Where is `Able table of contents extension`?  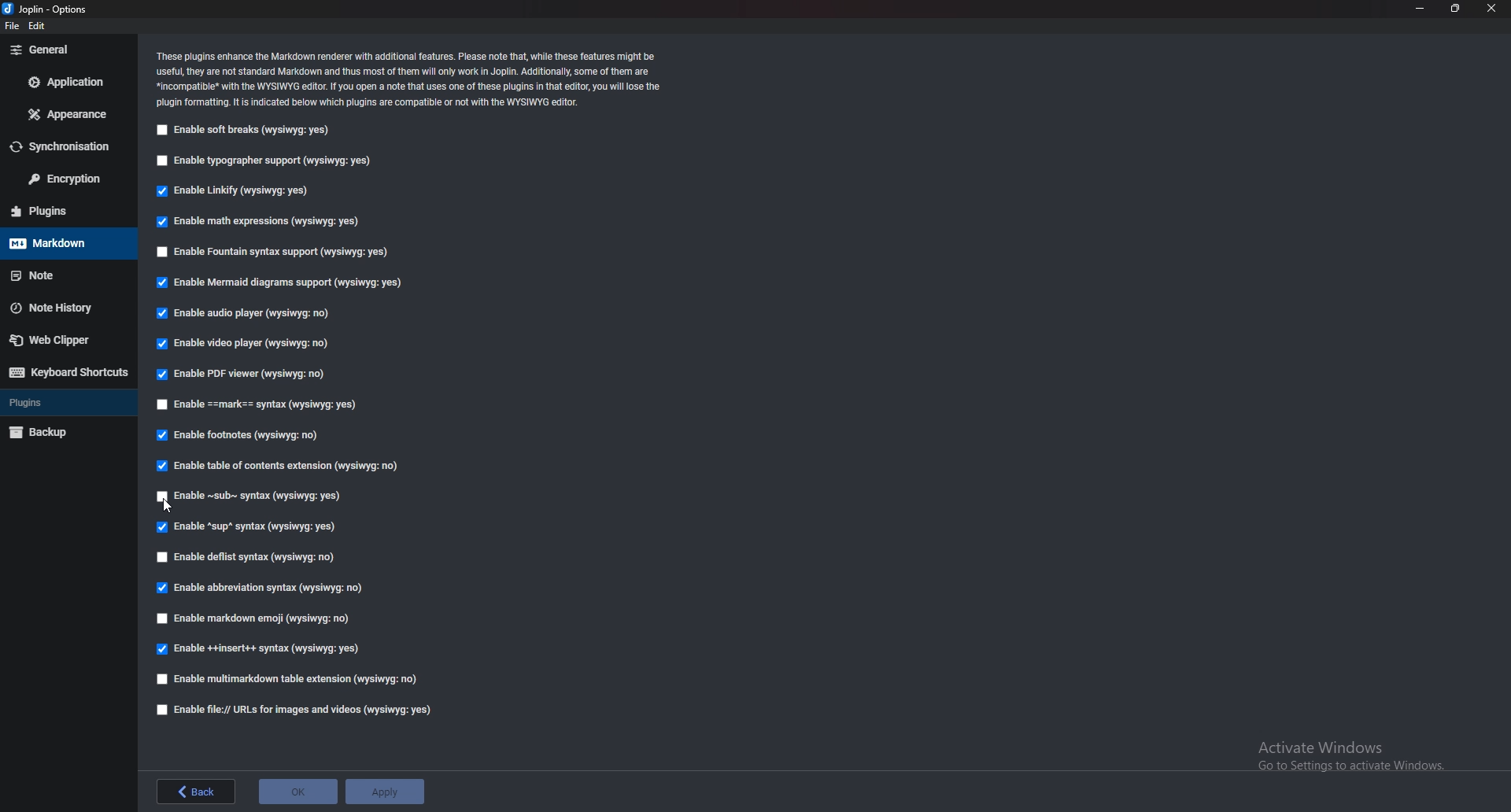
Able table of contents extension is located at coordinates (279, 466).